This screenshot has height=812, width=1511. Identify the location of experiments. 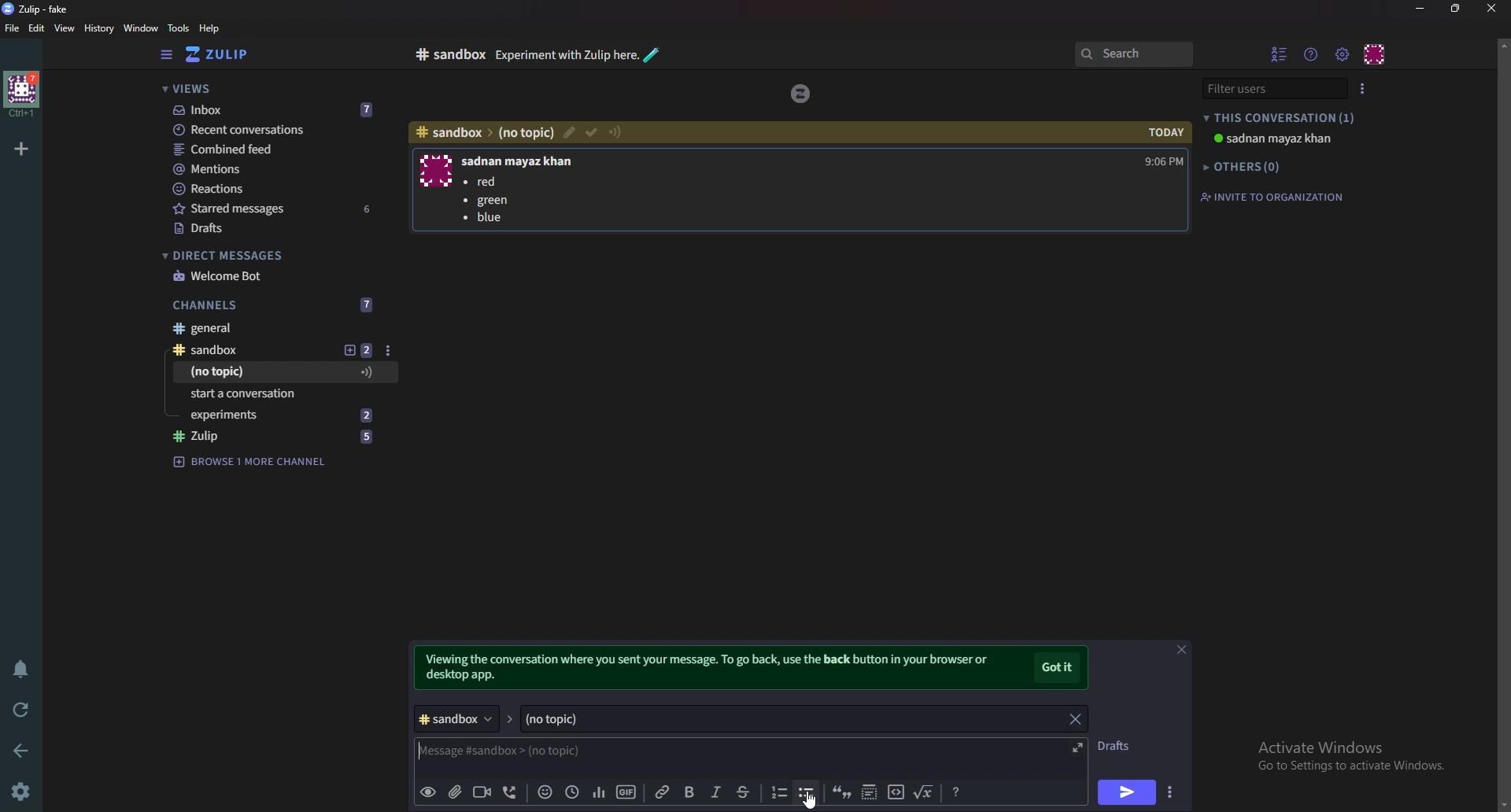
(288, 415).